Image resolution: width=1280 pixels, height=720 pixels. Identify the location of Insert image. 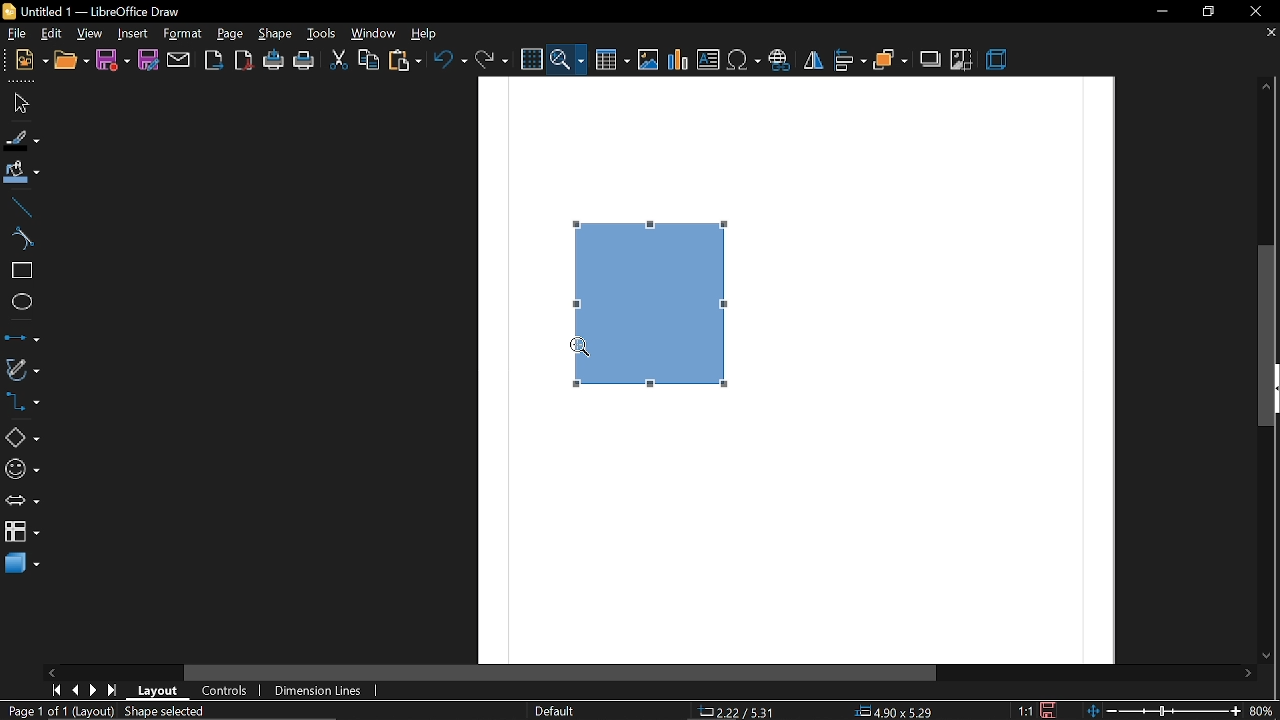
(649, 61).